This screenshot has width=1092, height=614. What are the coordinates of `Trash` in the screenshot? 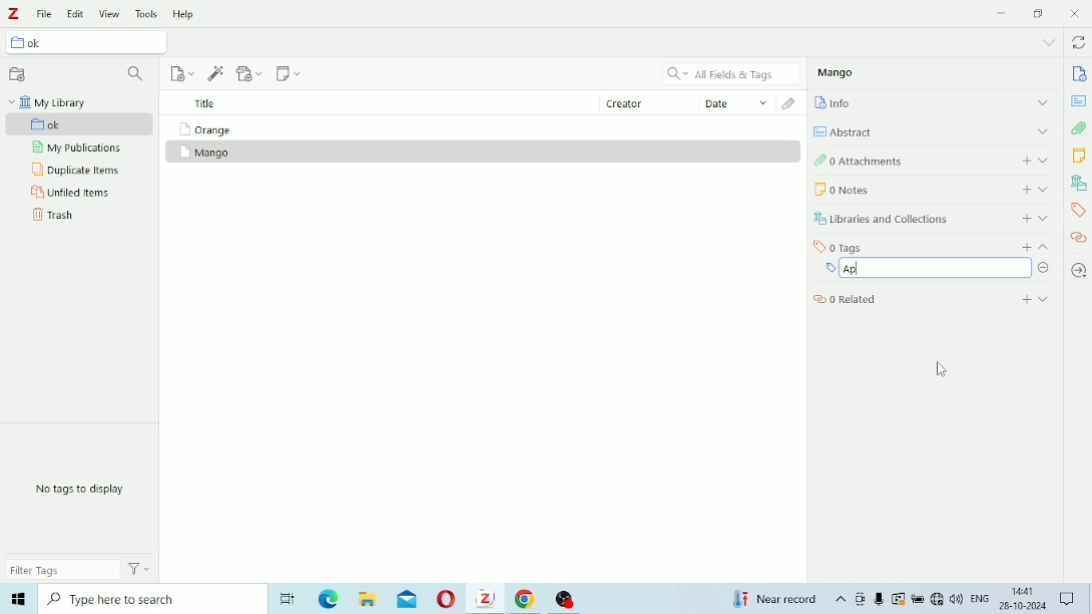 It's located at (56, 214).